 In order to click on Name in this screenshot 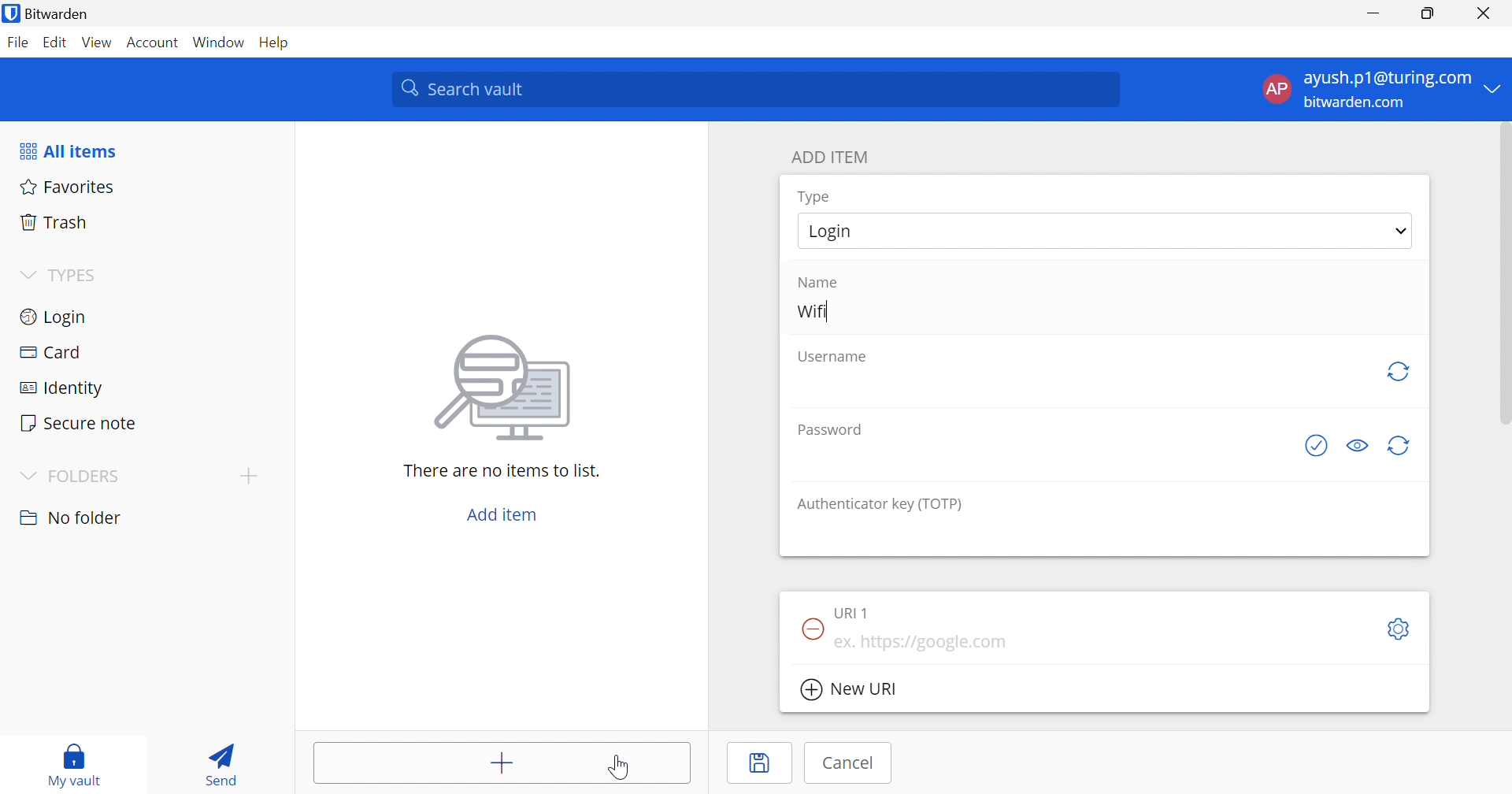, I will do `click(817, 283)`.